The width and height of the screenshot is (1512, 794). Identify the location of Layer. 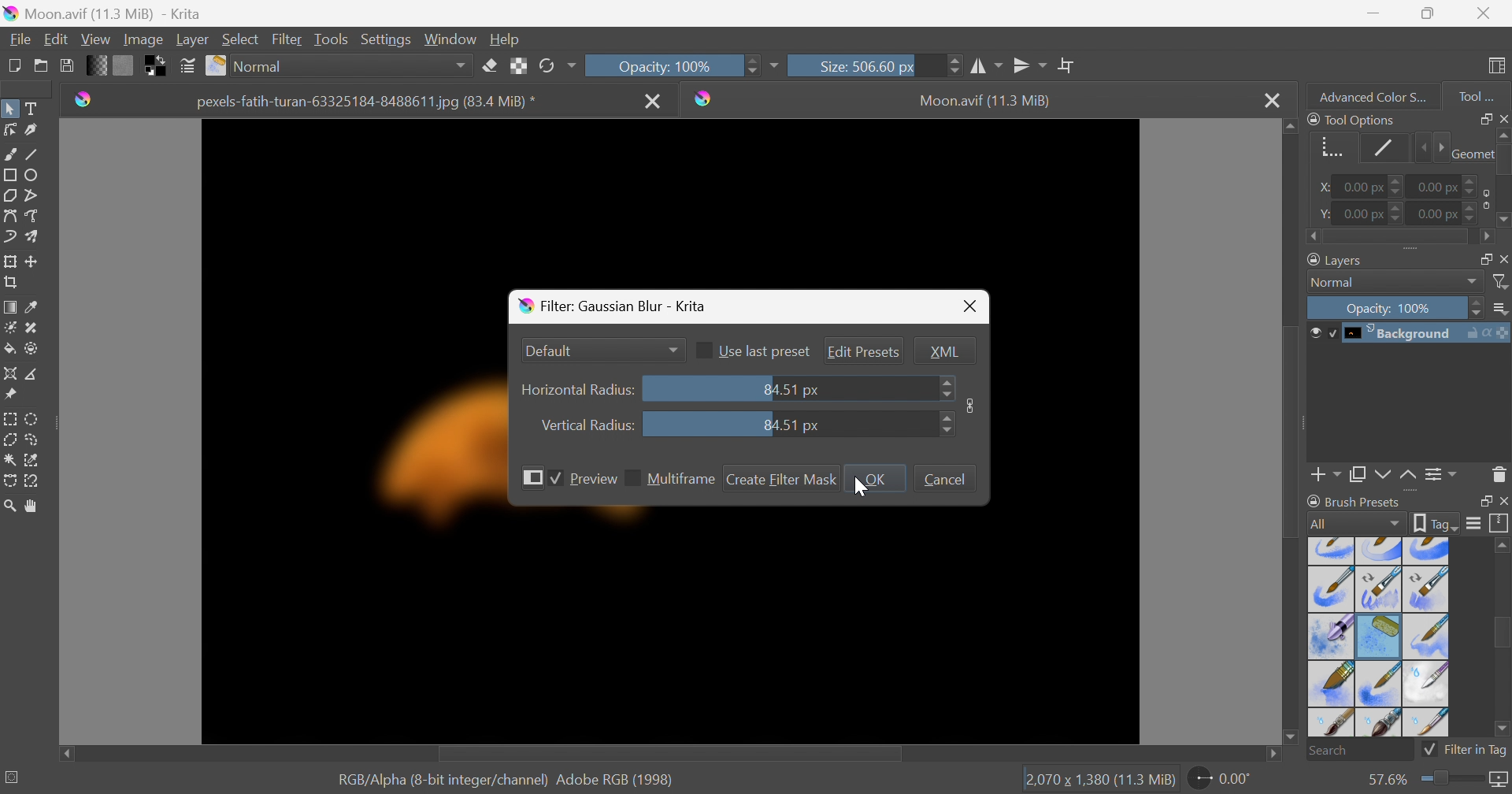
(192, 41).